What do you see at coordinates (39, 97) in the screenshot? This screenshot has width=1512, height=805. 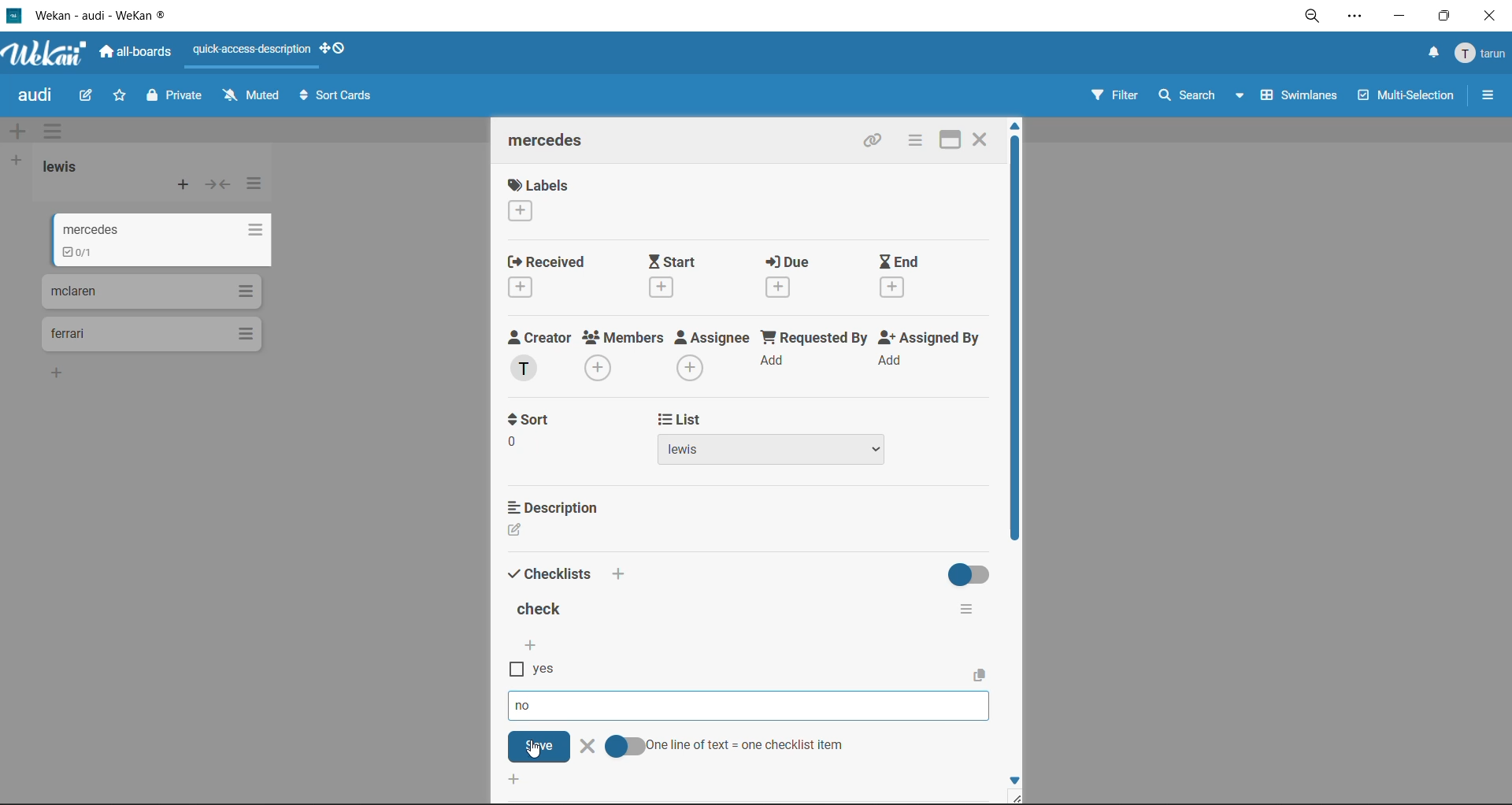 I see `board title` at bounding box center [39, 97].